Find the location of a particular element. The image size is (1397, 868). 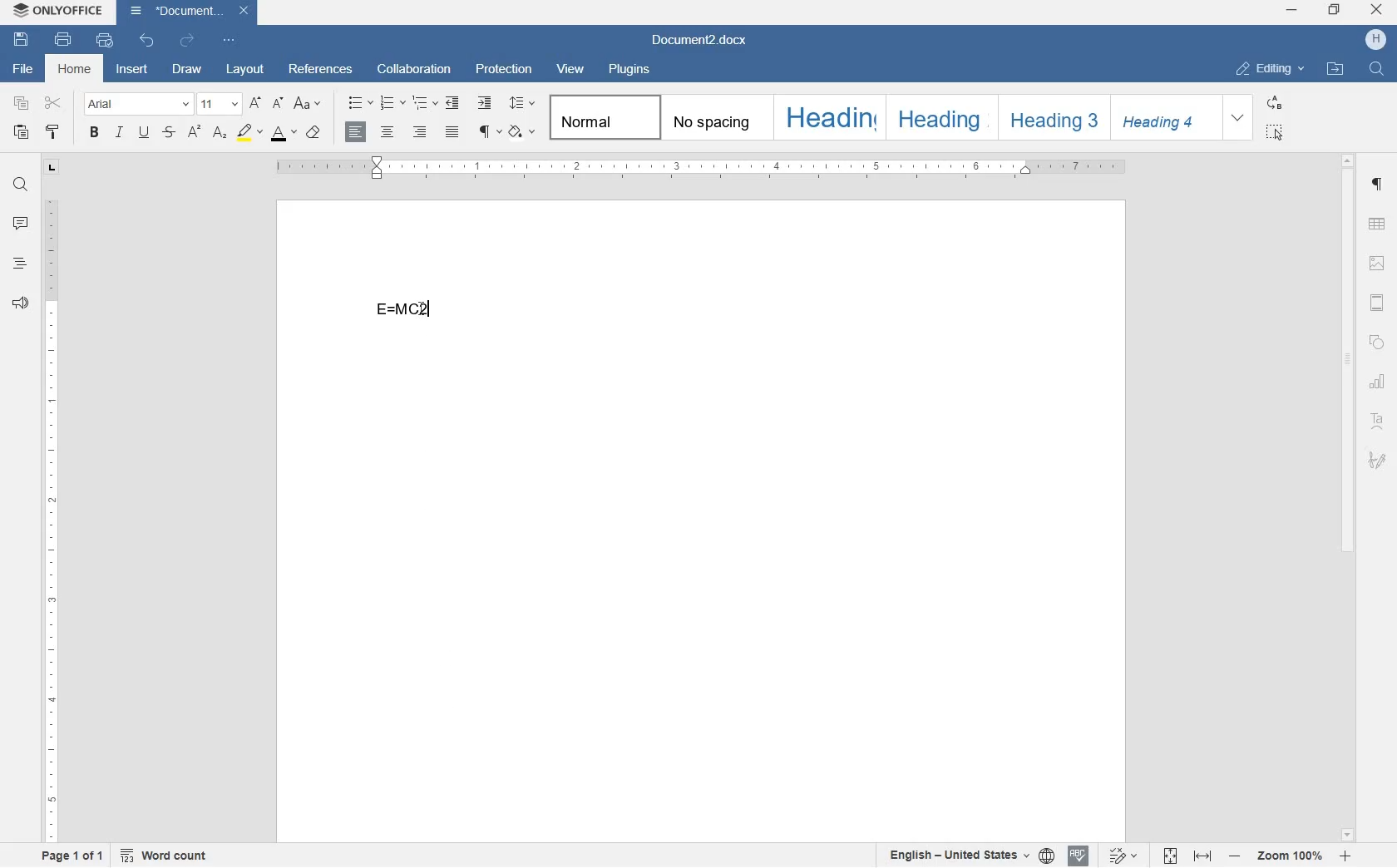

ruler is located at coordinates (701, 168).